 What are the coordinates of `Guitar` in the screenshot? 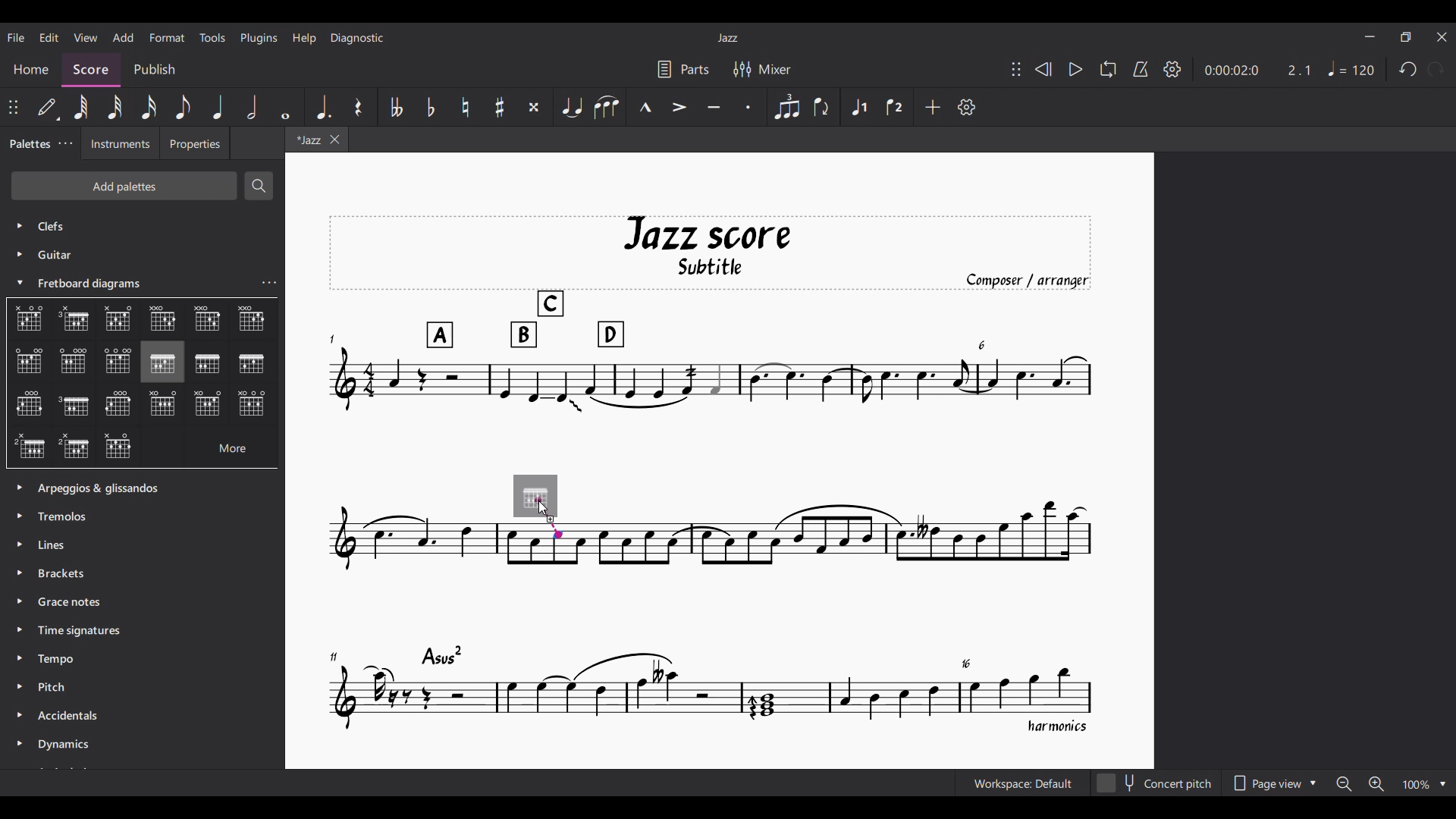 It's located at (42, 255).